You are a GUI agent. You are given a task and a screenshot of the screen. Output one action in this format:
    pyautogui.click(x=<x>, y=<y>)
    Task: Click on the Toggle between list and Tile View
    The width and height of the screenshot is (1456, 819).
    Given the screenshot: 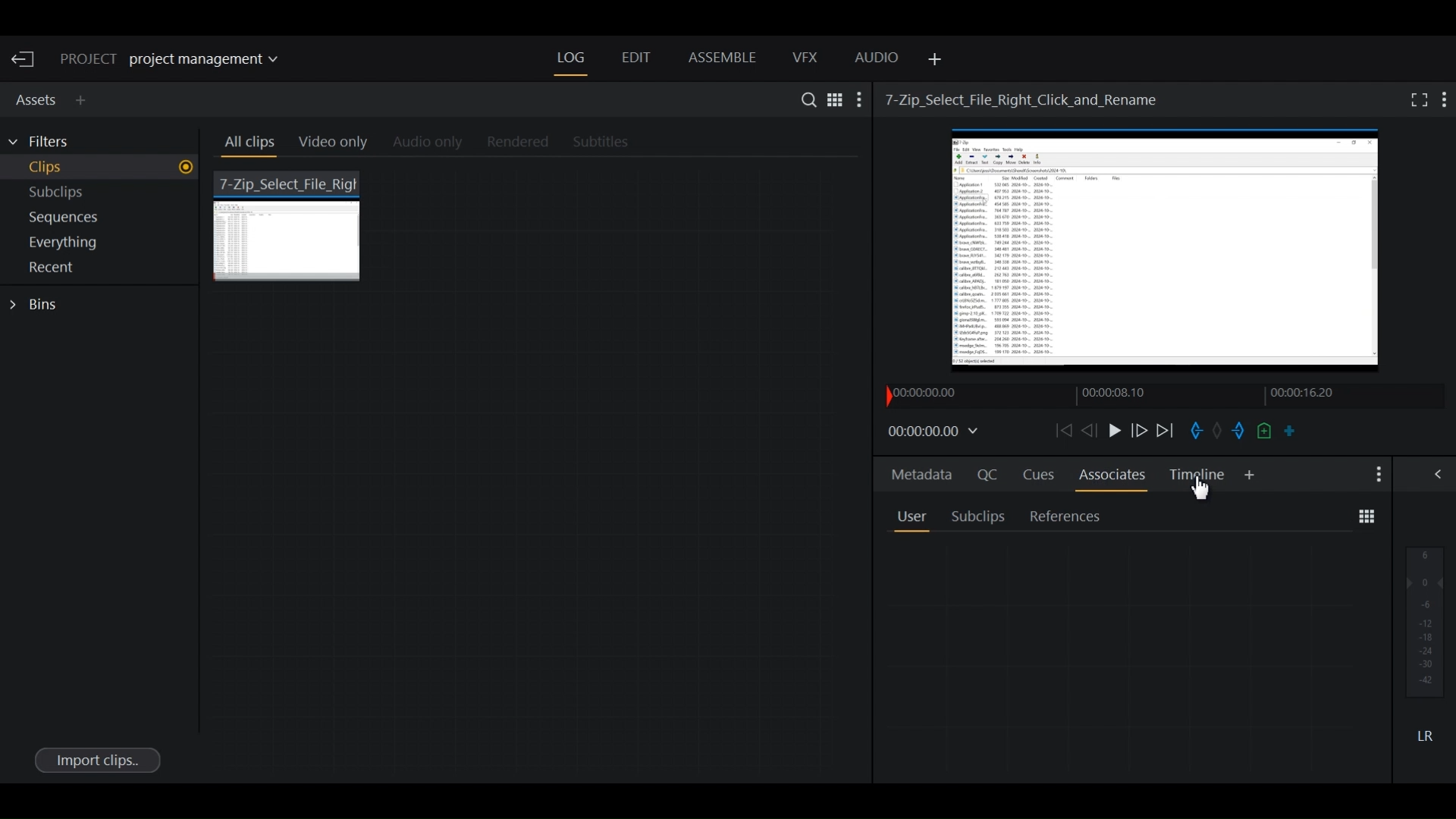 What is the action you would take?
    pyautogui.click(x=833, y=99)
    